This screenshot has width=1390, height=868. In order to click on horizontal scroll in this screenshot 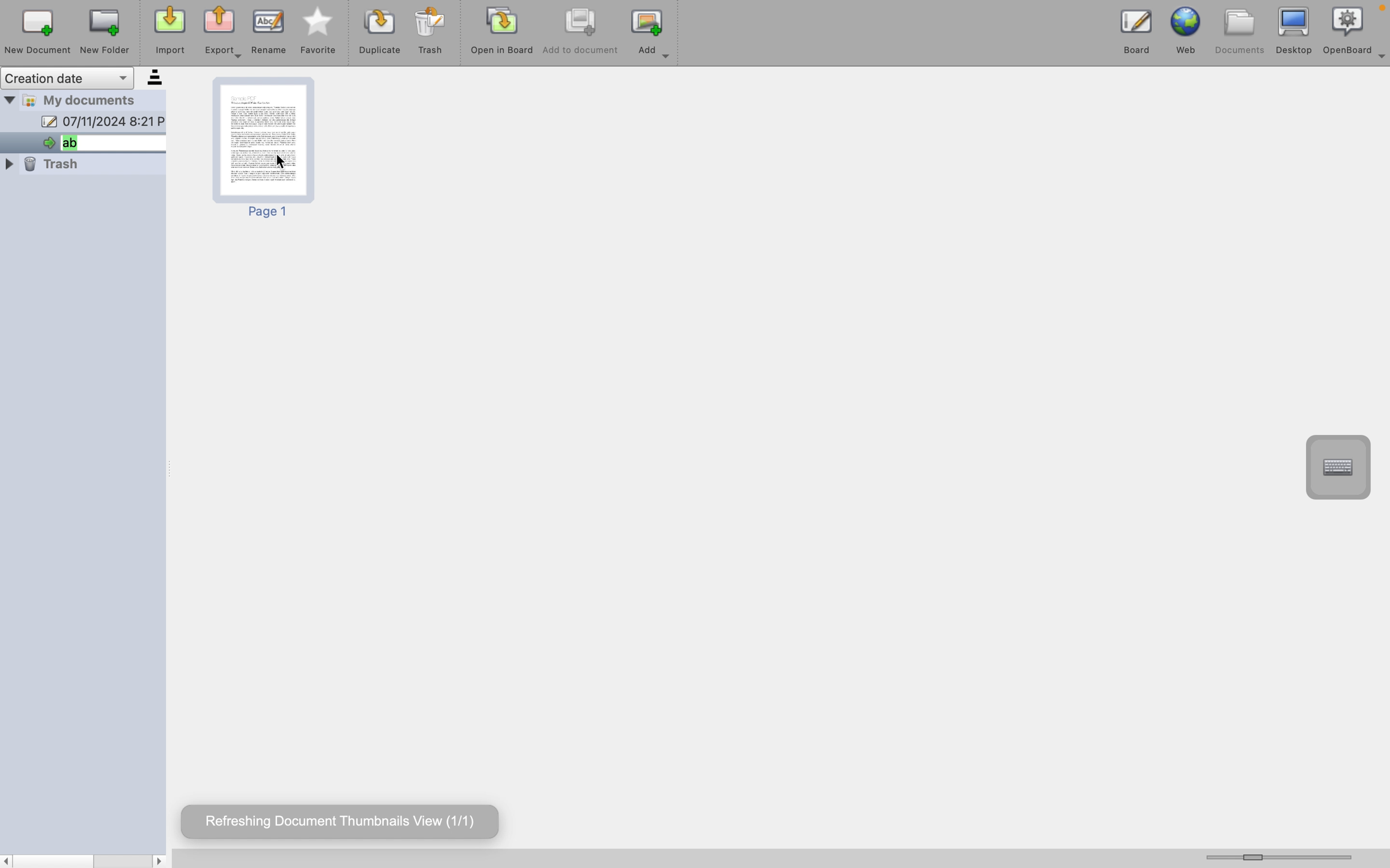, I will do `click(1285, 857)`.